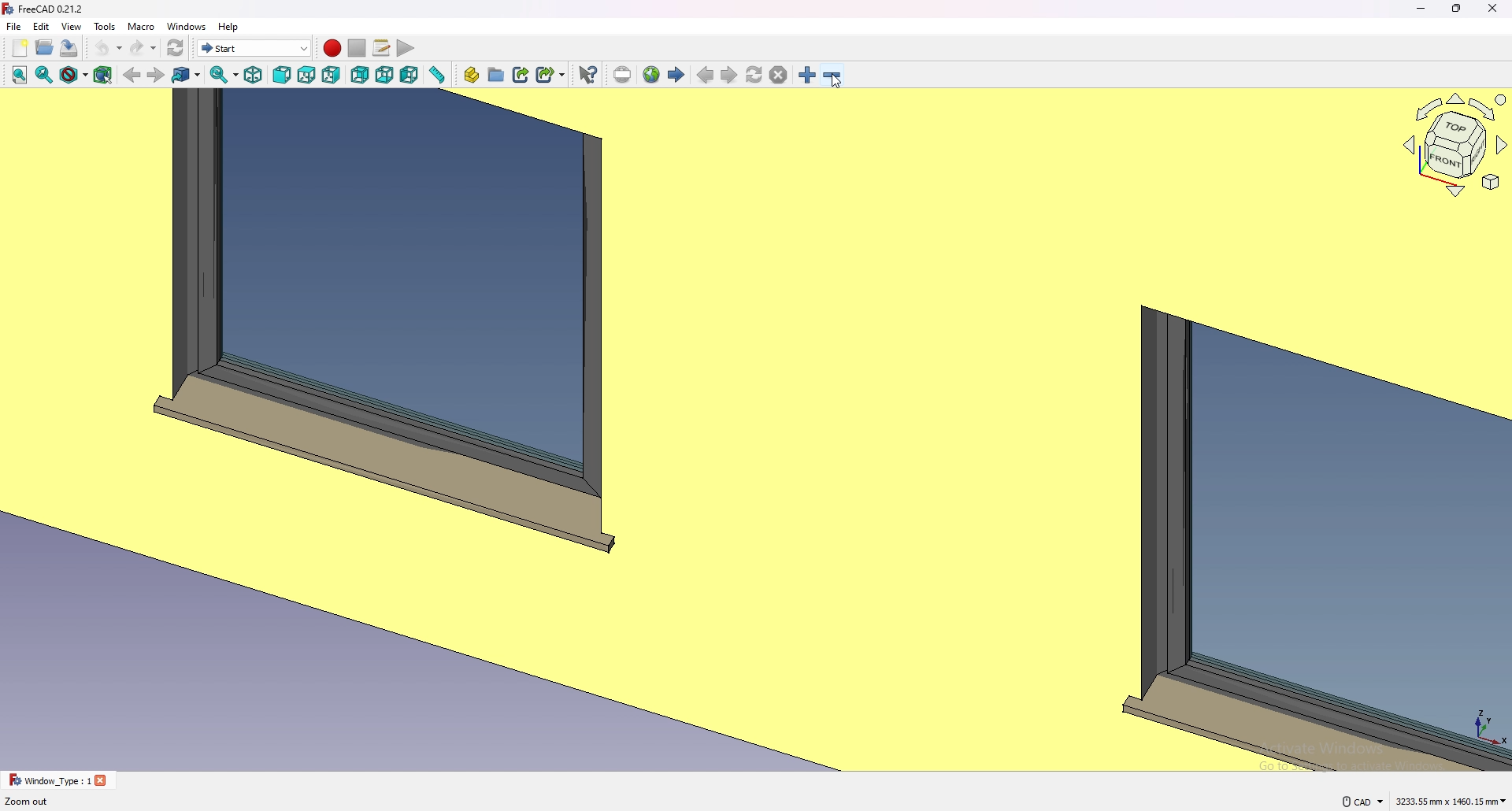  Describe the element at coordinates (254, 47) in the screenshot. I see `switch between workbenches` at that location.